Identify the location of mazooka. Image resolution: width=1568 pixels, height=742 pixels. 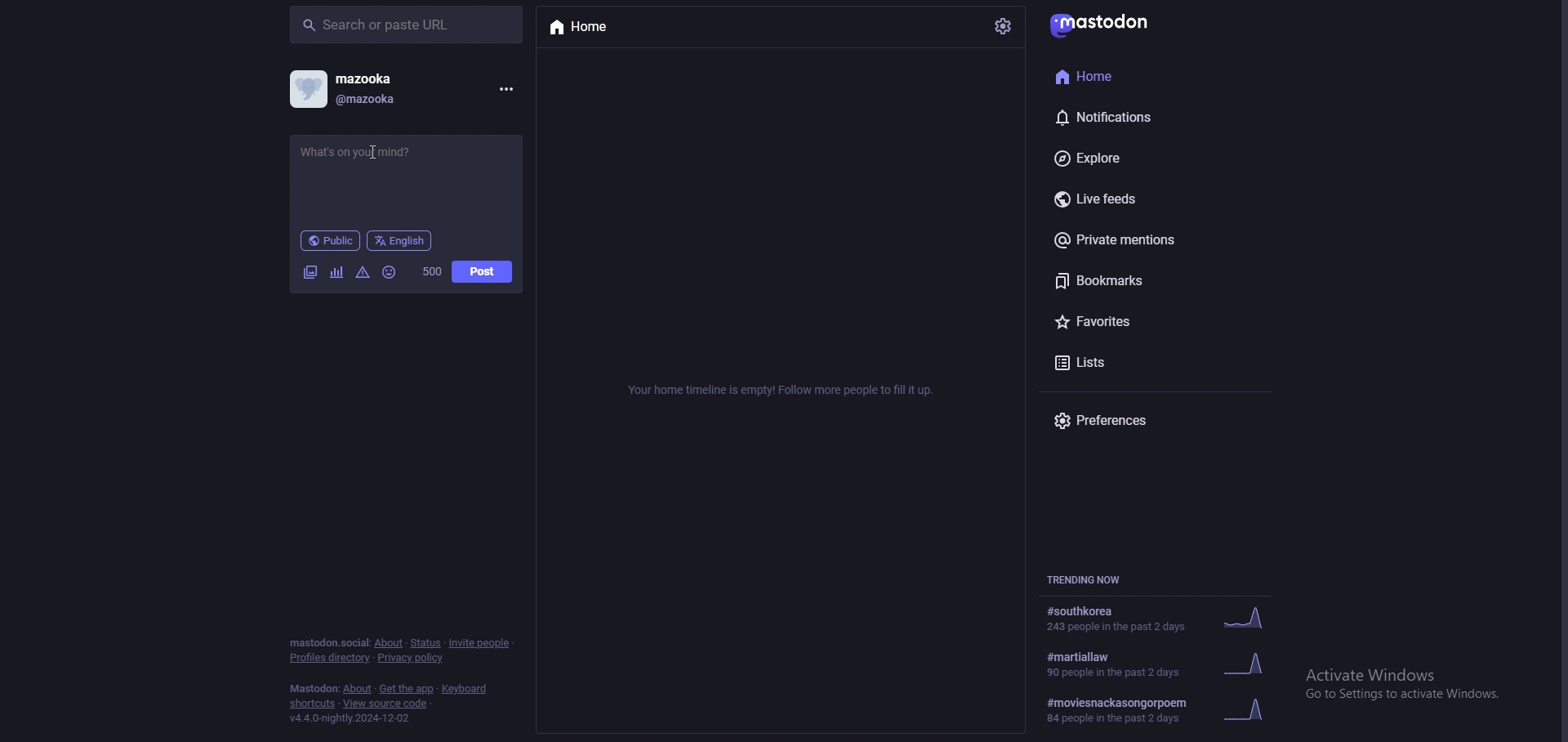
(388, 76).